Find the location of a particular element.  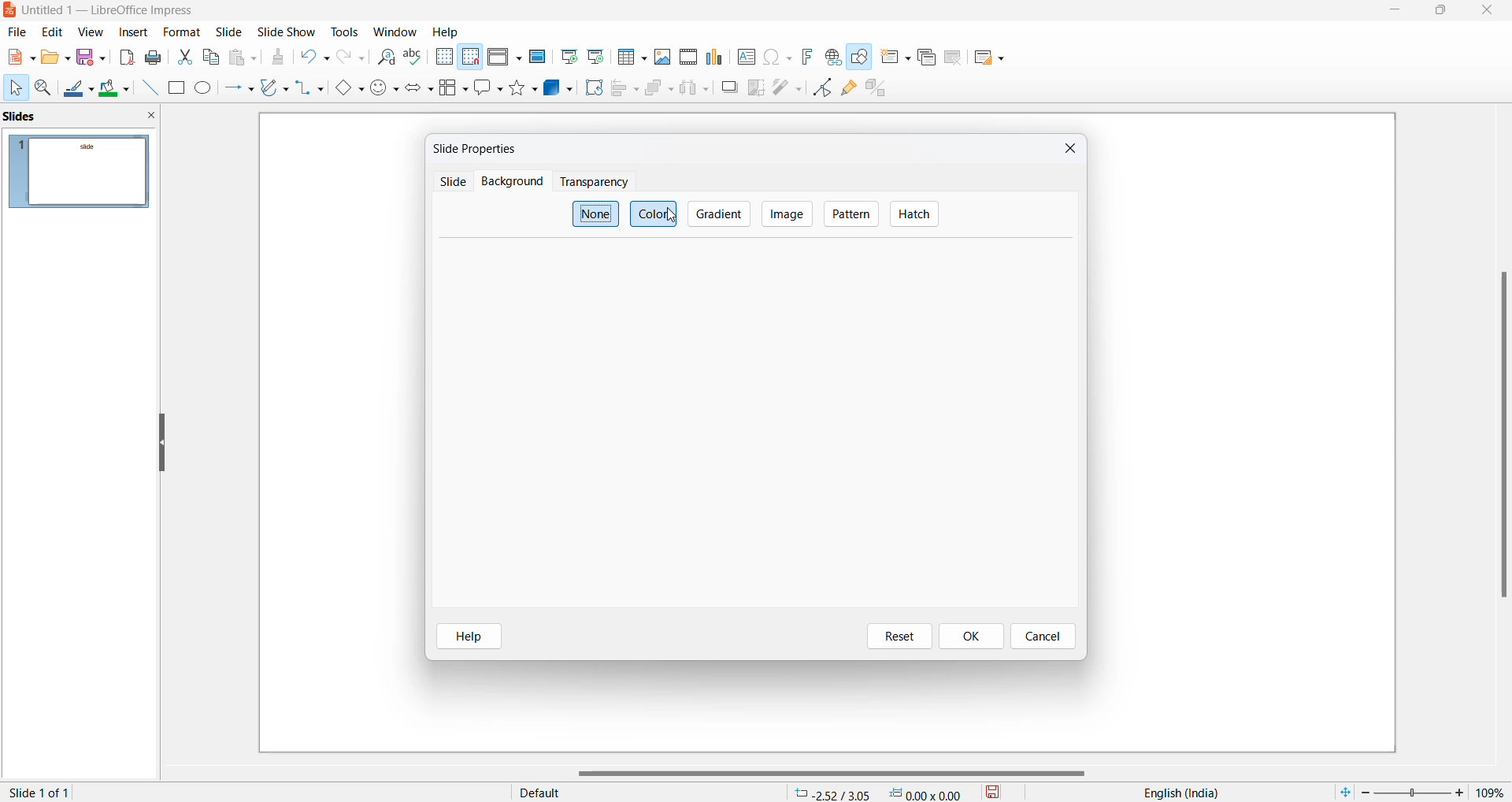

filter is located at coordinates (787, 86).